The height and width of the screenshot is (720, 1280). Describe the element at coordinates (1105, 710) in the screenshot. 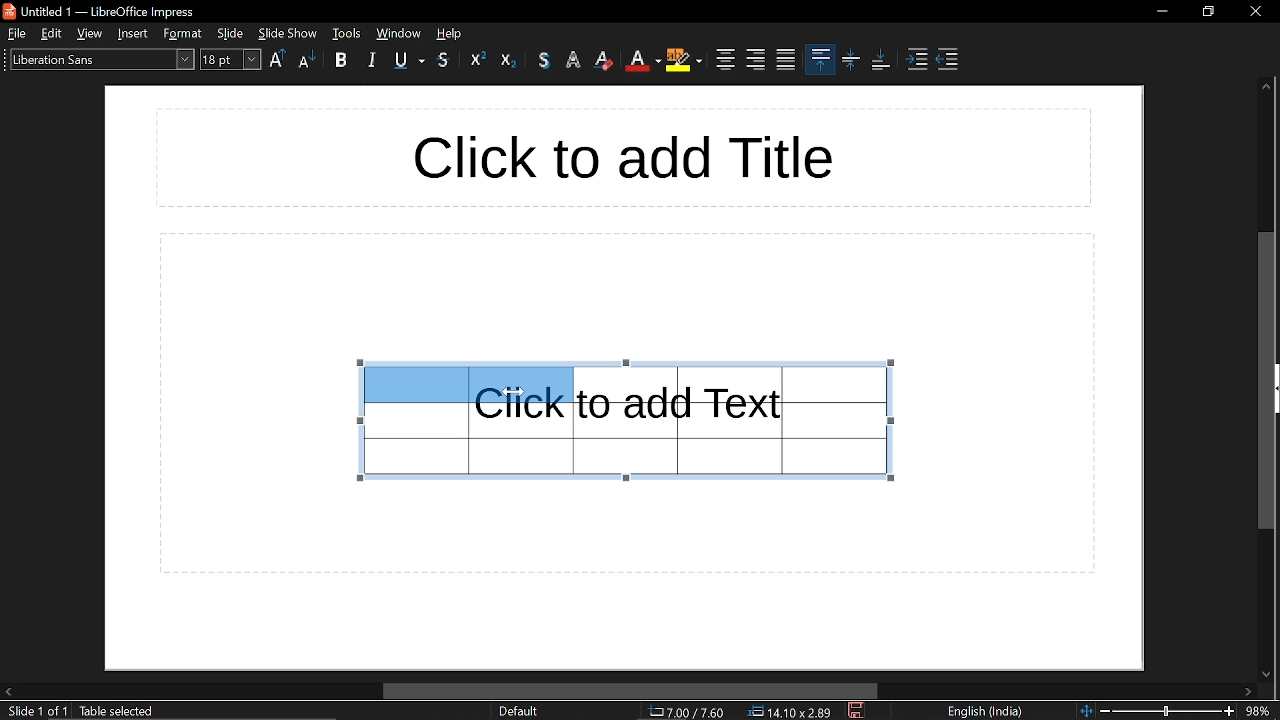

I see `zoom out` at that location.